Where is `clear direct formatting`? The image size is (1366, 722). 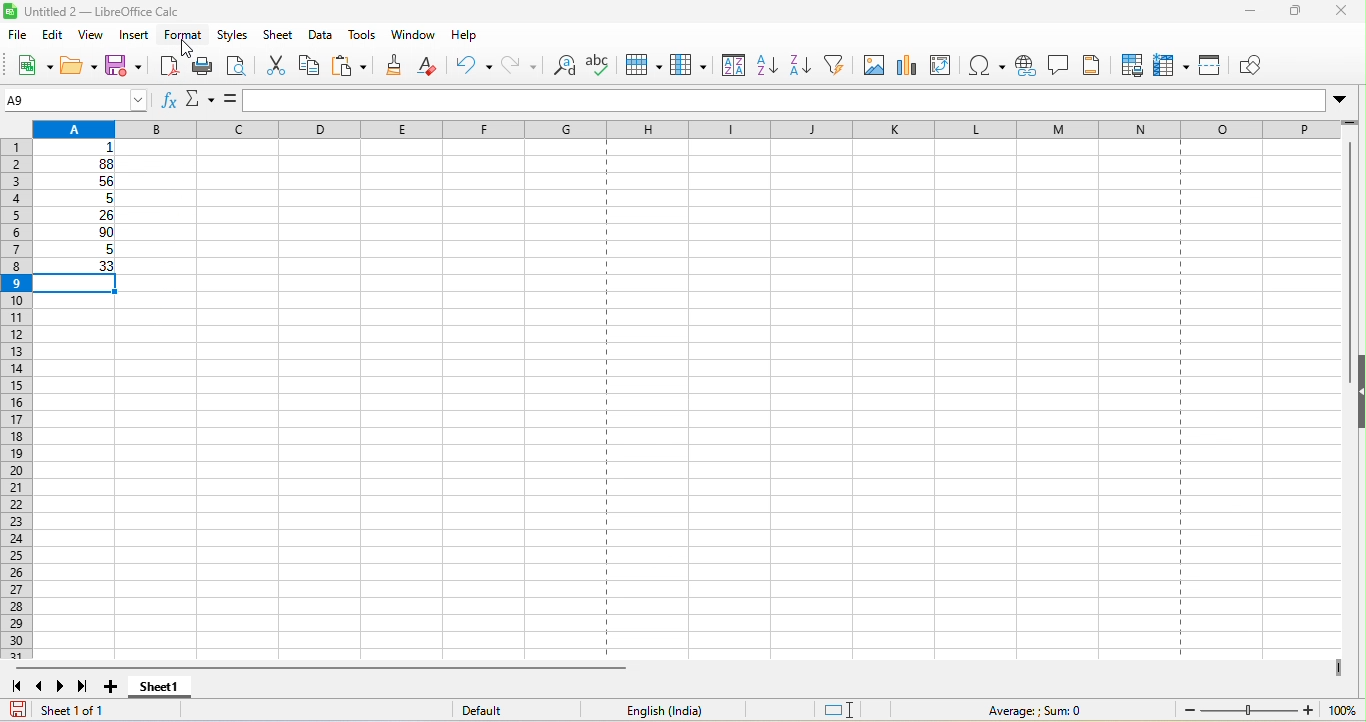
clear direct formatting is located at coordinates (433, 66).